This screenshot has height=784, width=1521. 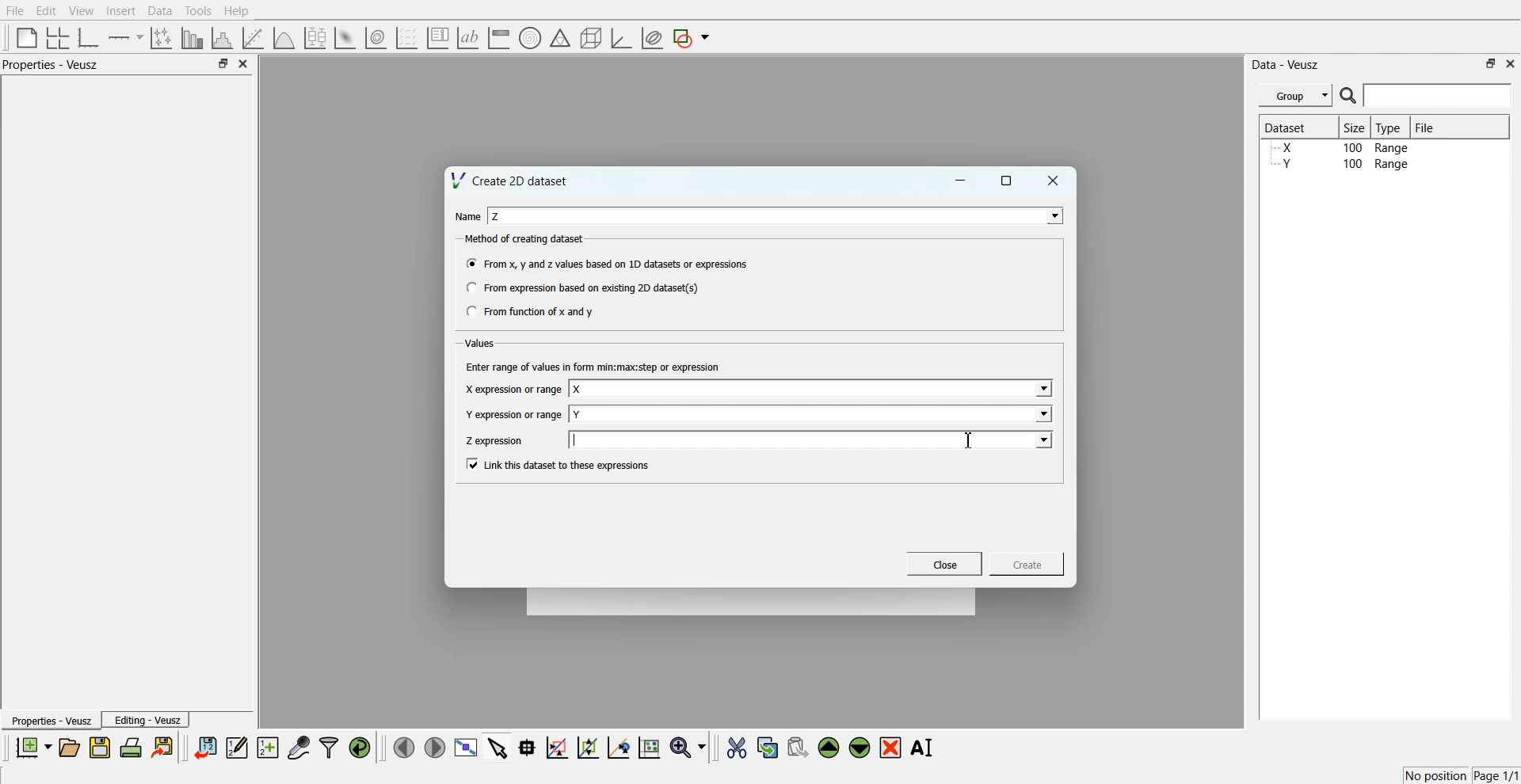 I want to click on Enter name, so click(x=814, y=440).